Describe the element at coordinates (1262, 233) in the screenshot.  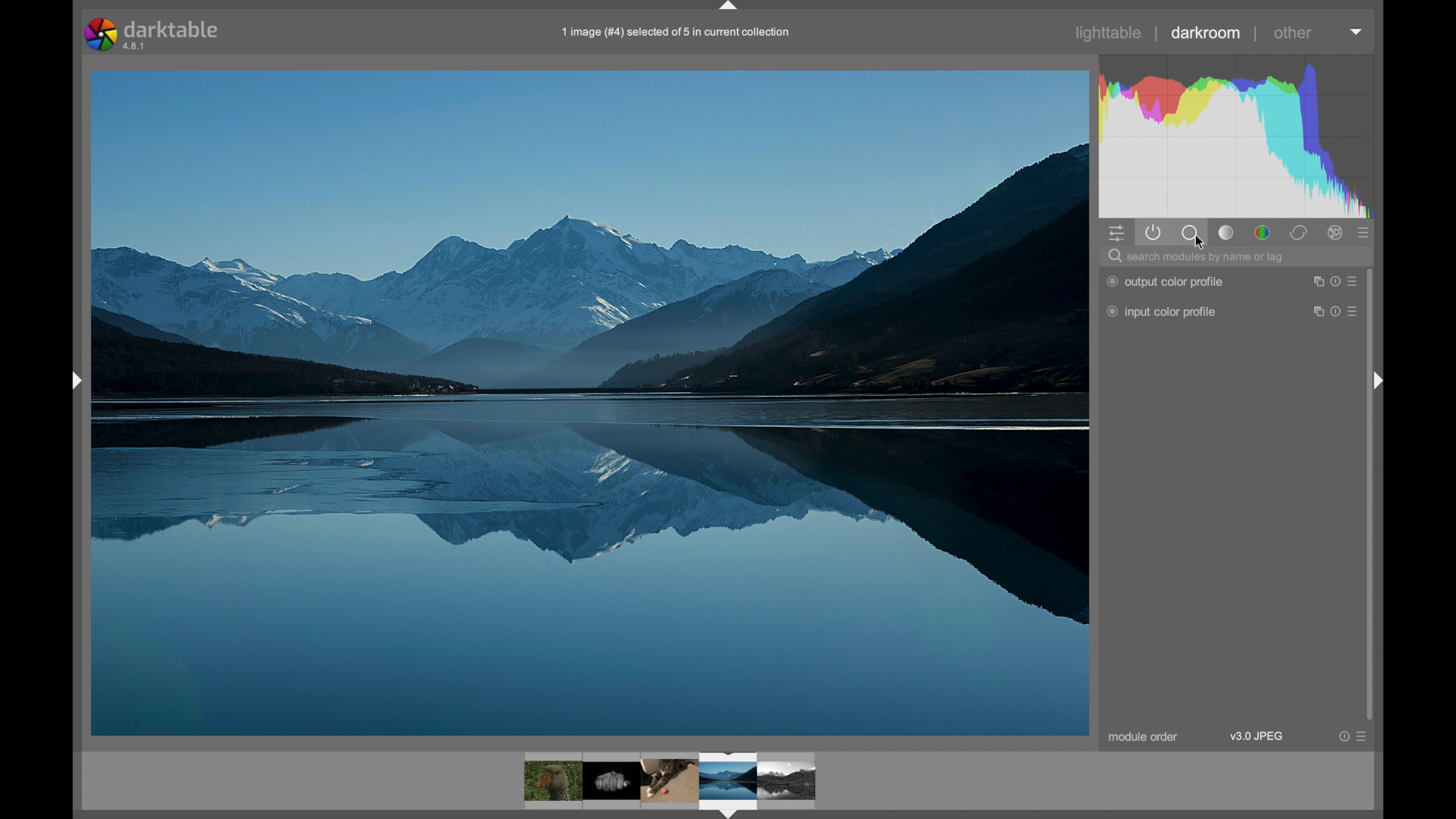
I see `color` at that location.